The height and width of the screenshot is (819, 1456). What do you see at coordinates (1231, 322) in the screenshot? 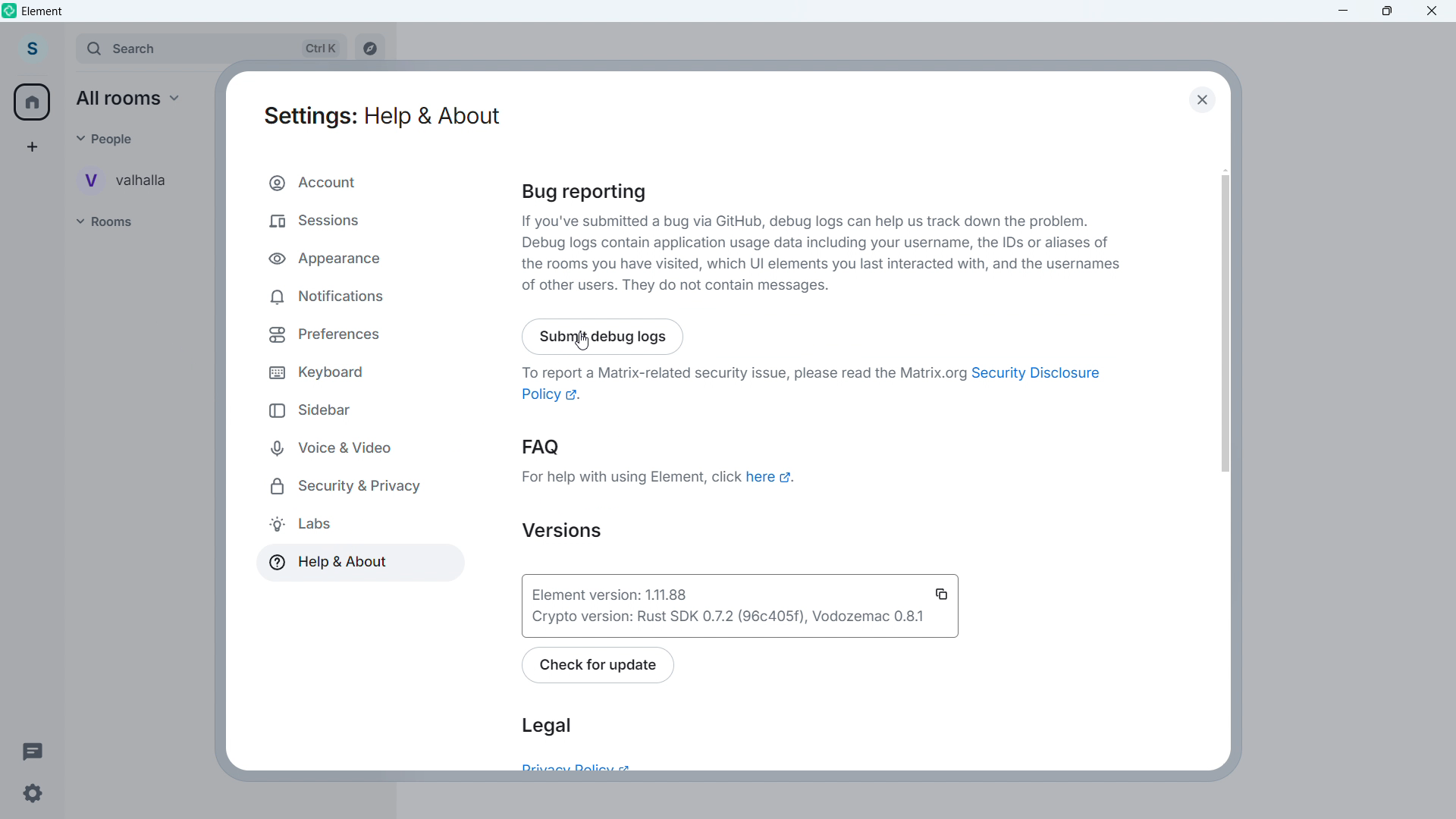
I see `scroll bar` at bounding box center [1231, 322].